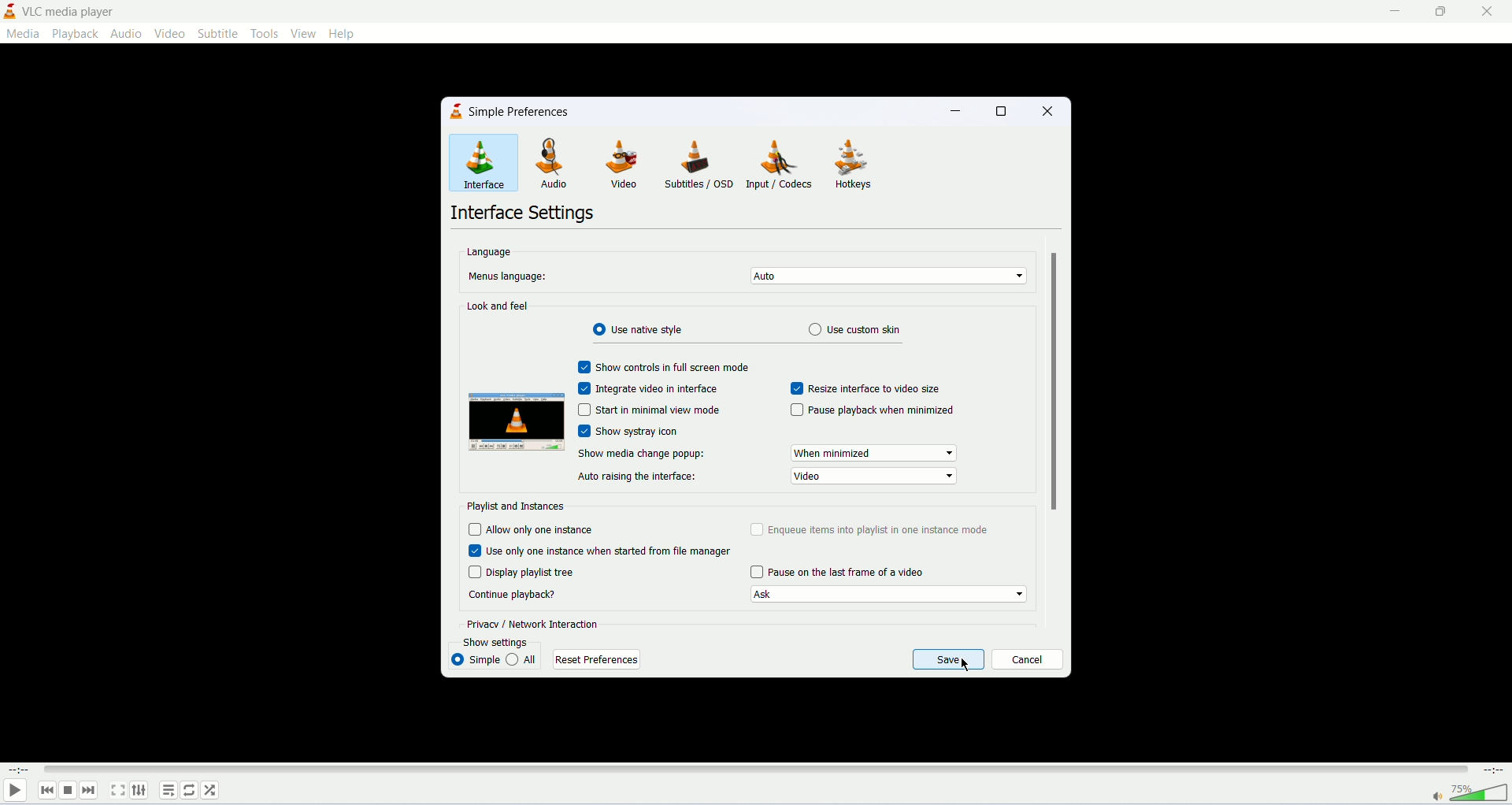  What do you see at coordinates (1440, 14) in the screenshot?
I see `maximize` at bounding box center [1440, 14].